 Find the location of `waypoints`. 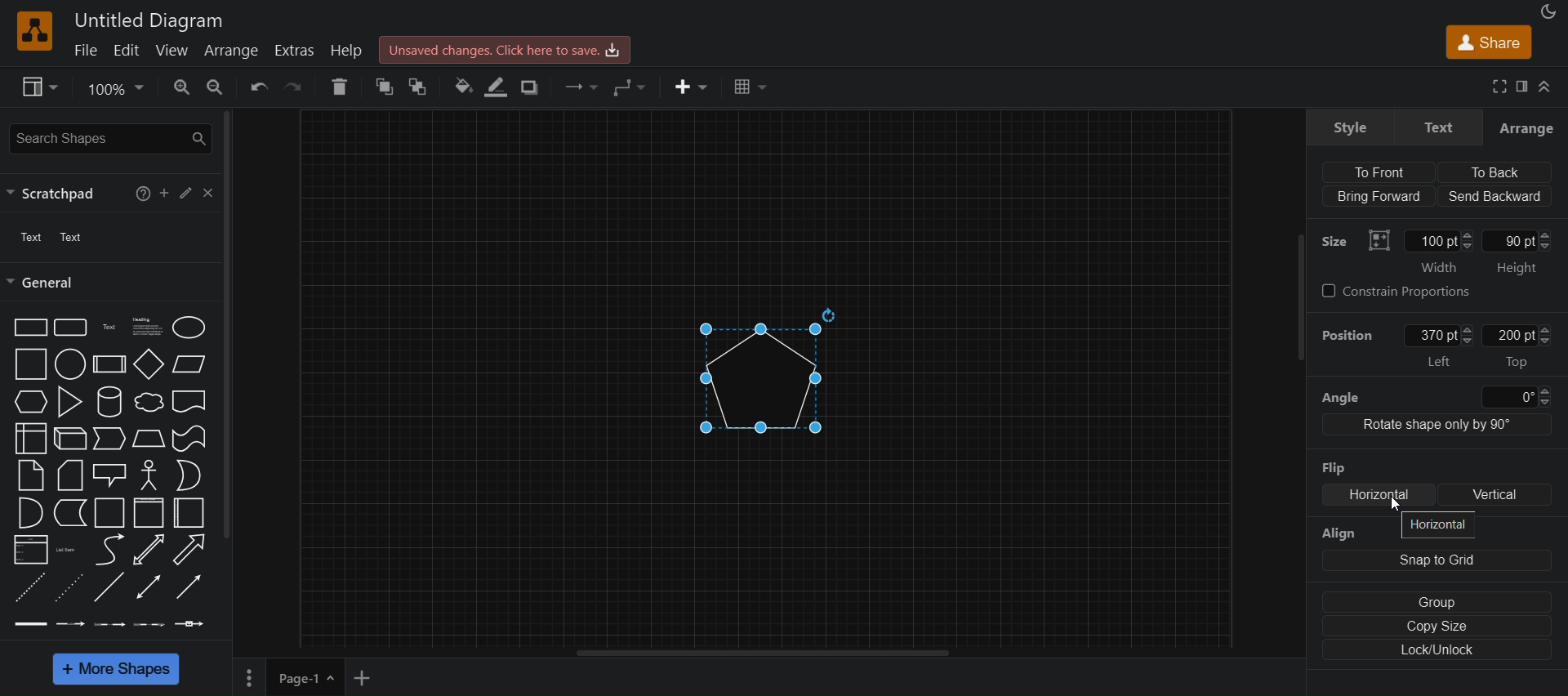

waypoints is located at coordinates (632, 88).